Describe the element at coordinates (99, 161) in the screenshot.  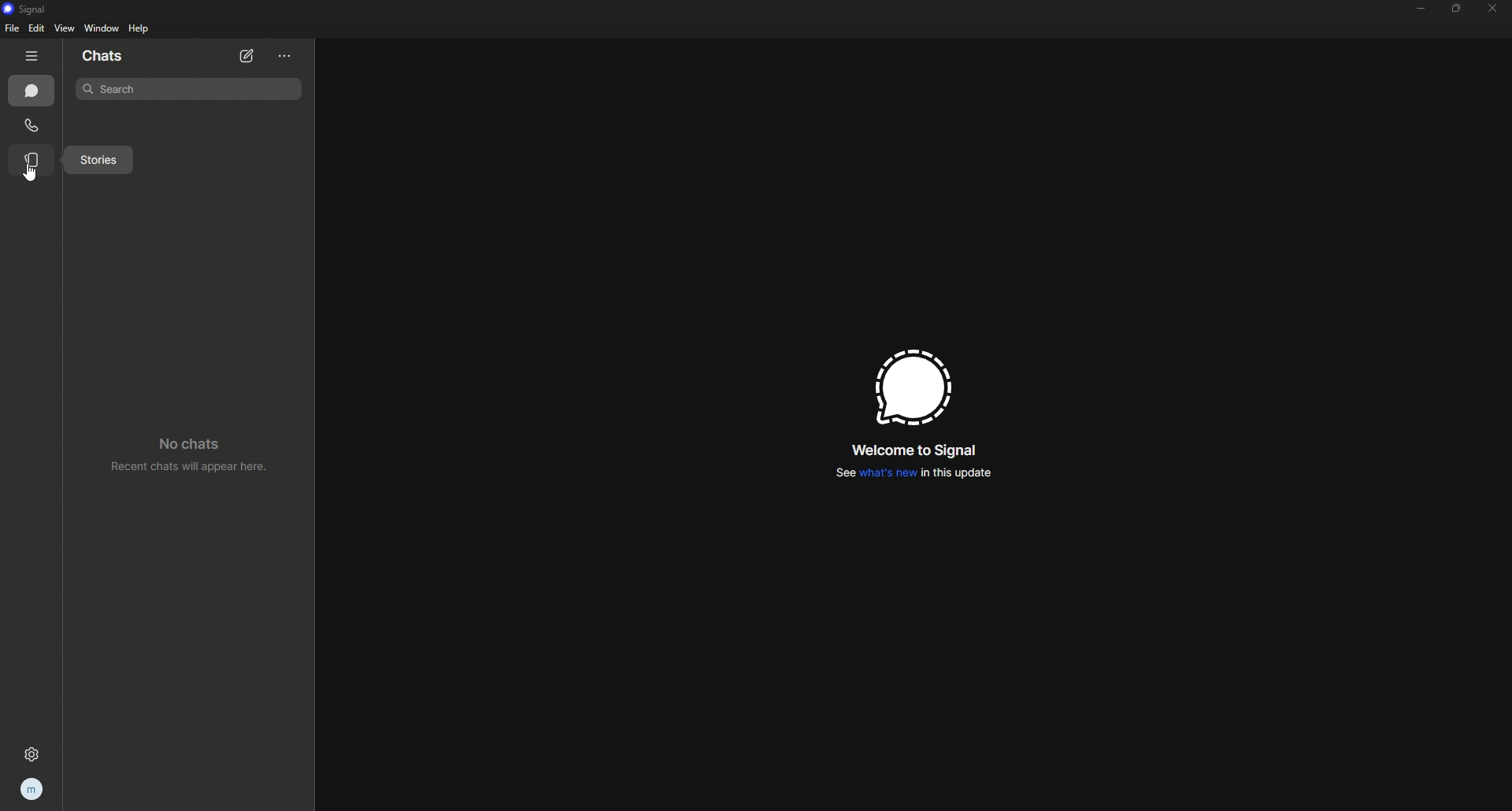
I see `stories` at that location.